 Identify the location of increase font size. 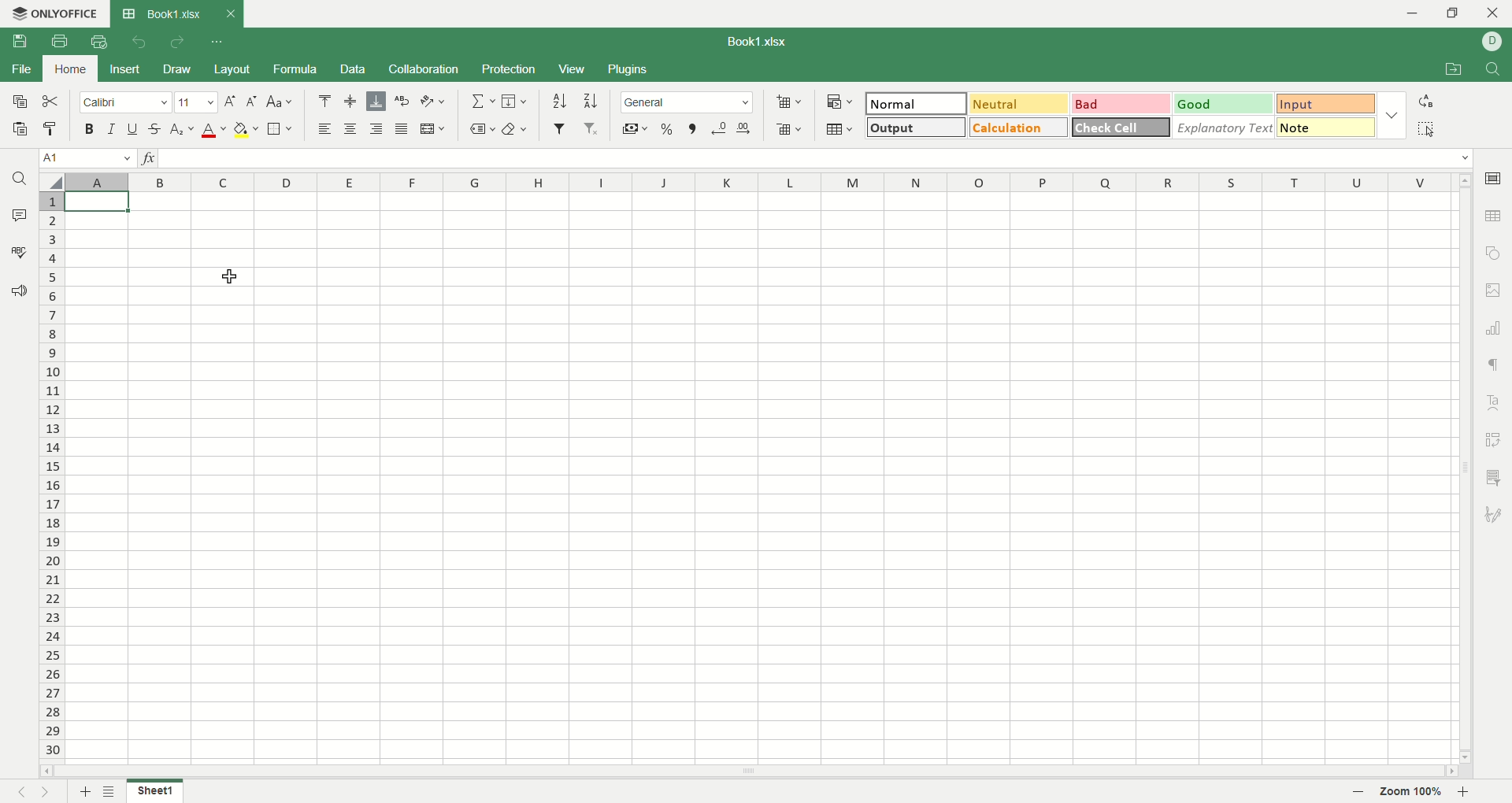
(229, 104).